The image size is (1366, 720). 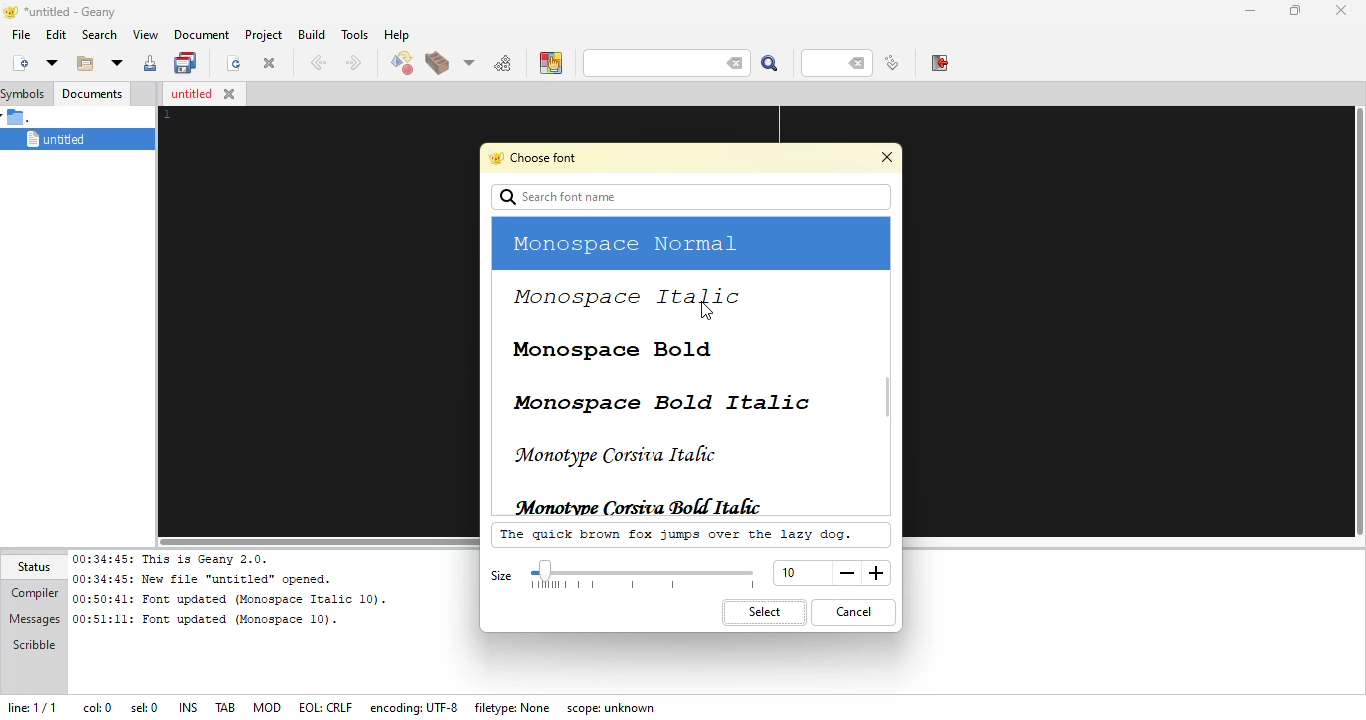 I want to click on documents, so click(x=91, y=92).